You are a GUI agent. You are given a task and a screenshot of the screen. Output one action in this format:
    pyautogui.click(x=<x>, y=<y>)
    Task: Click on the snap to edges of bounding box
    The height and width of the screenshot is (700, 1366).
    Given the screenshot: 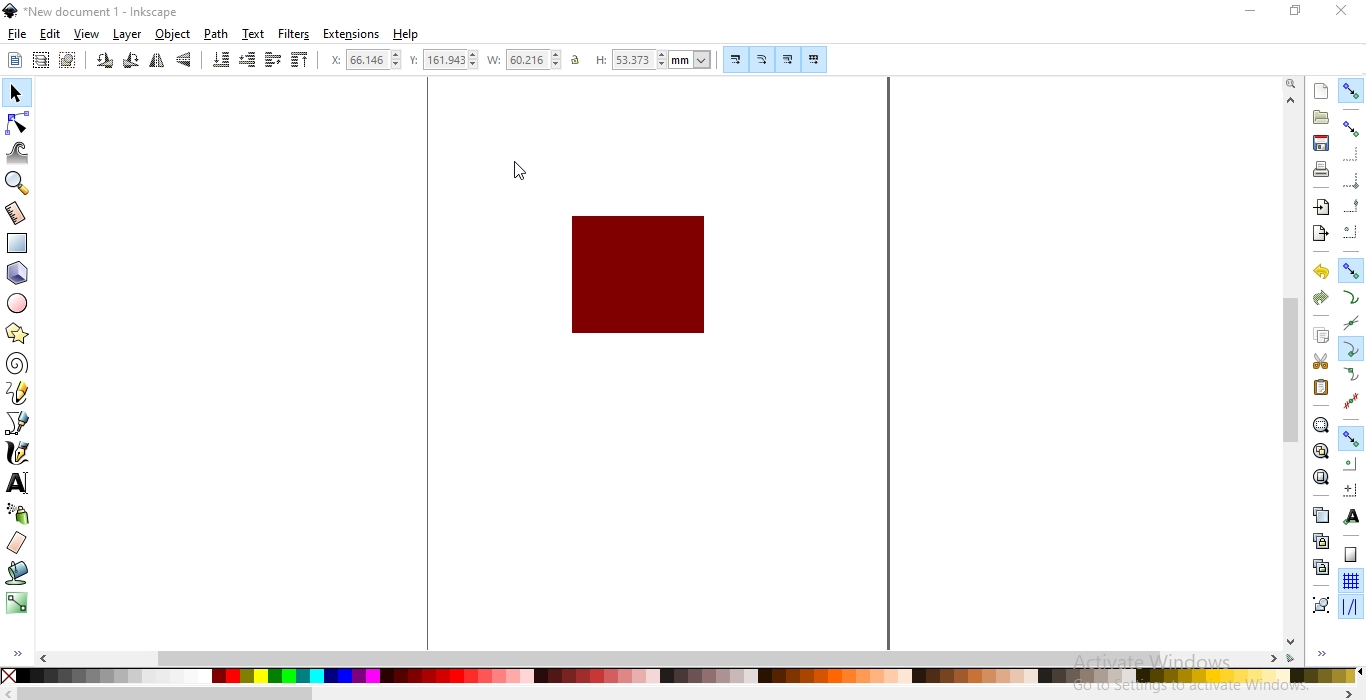 What is the action you would take?
    pyautogui.click(x=1349, y=153)
    